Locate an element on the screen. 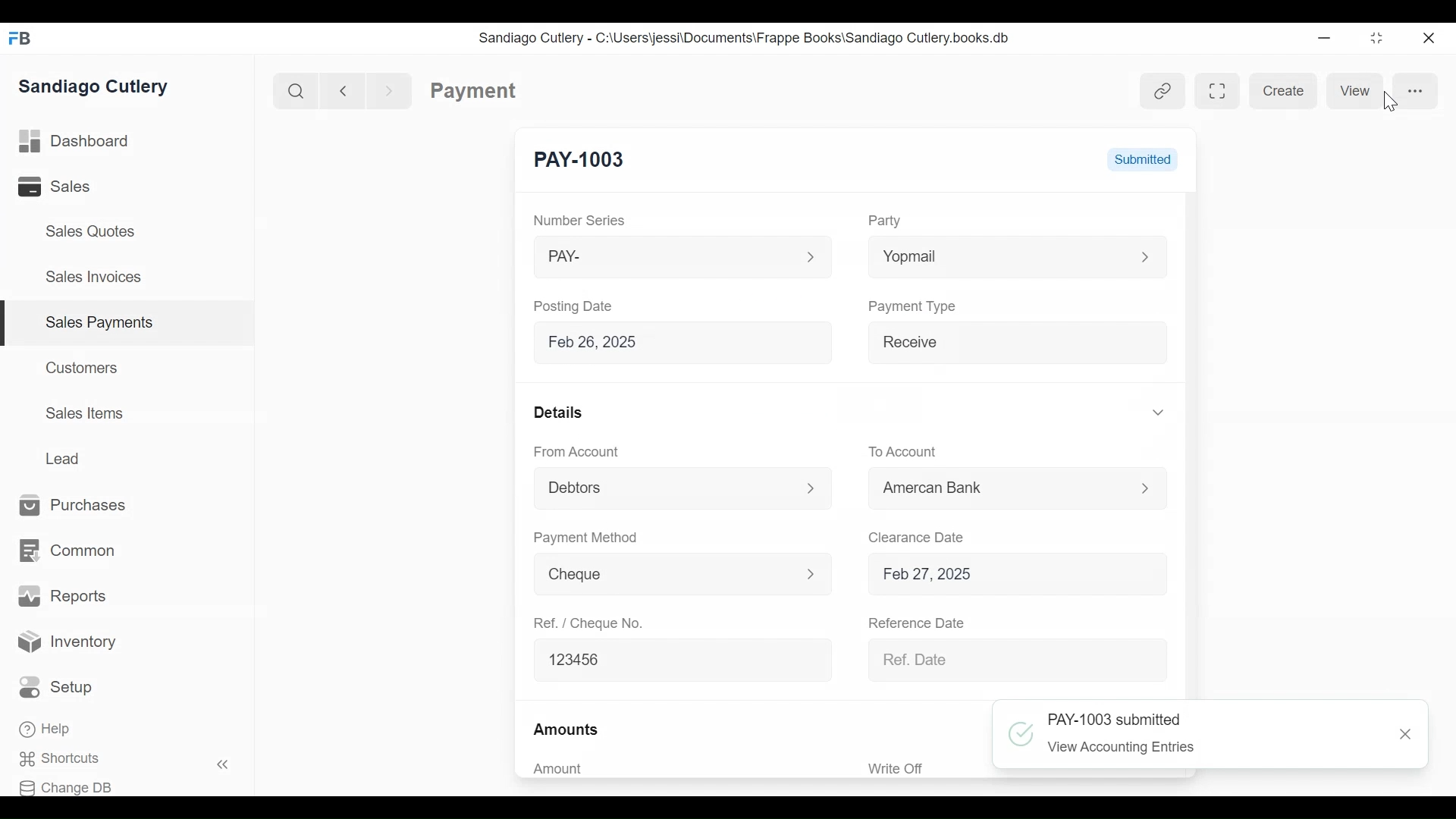 The height and width of the screenshot is (819, 1456). Restore is located at coordinates (1376, 39).